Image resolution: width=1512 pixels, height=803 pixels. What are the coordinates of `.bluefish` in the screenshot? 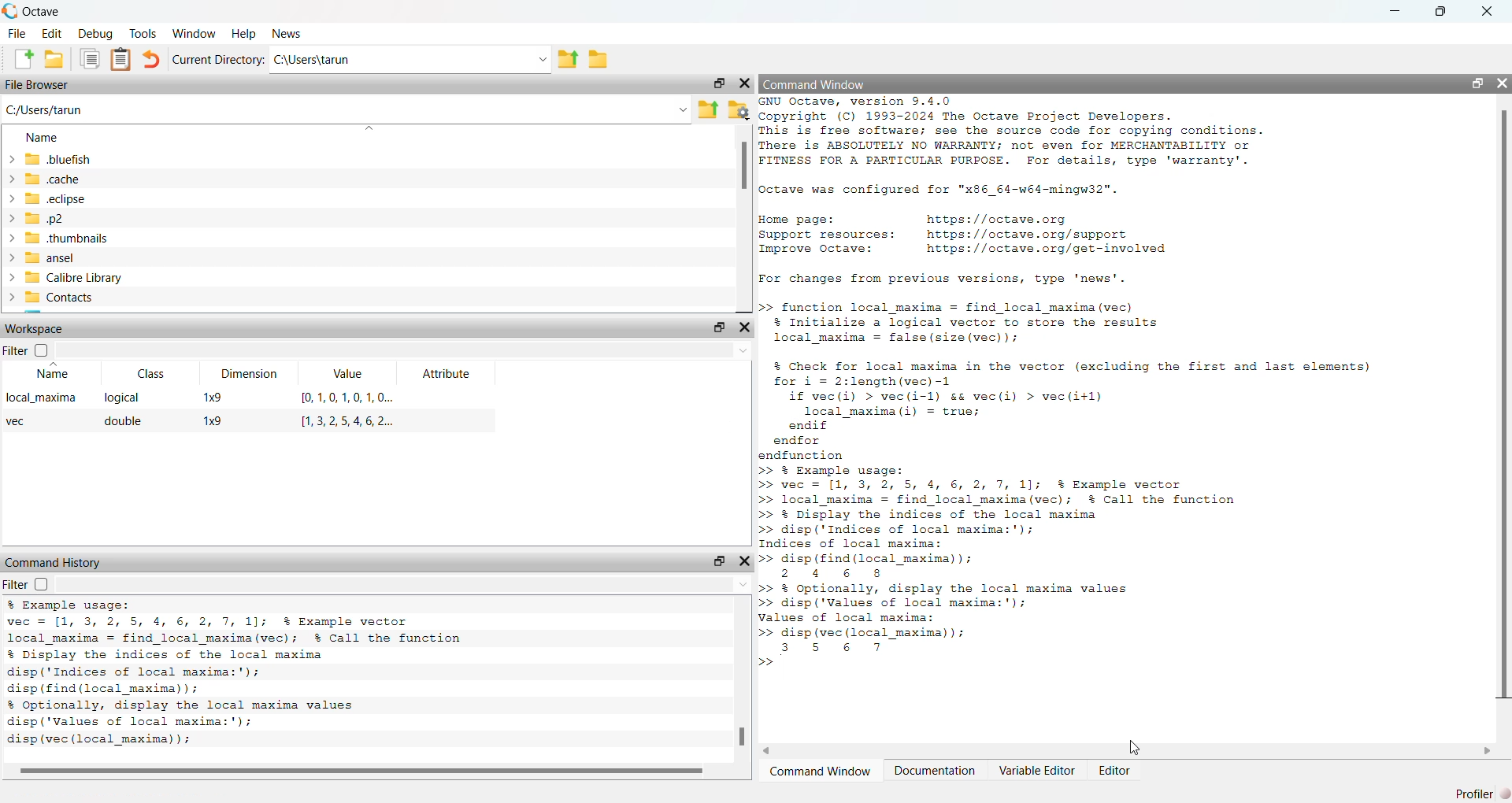 It's located at (62, 158).